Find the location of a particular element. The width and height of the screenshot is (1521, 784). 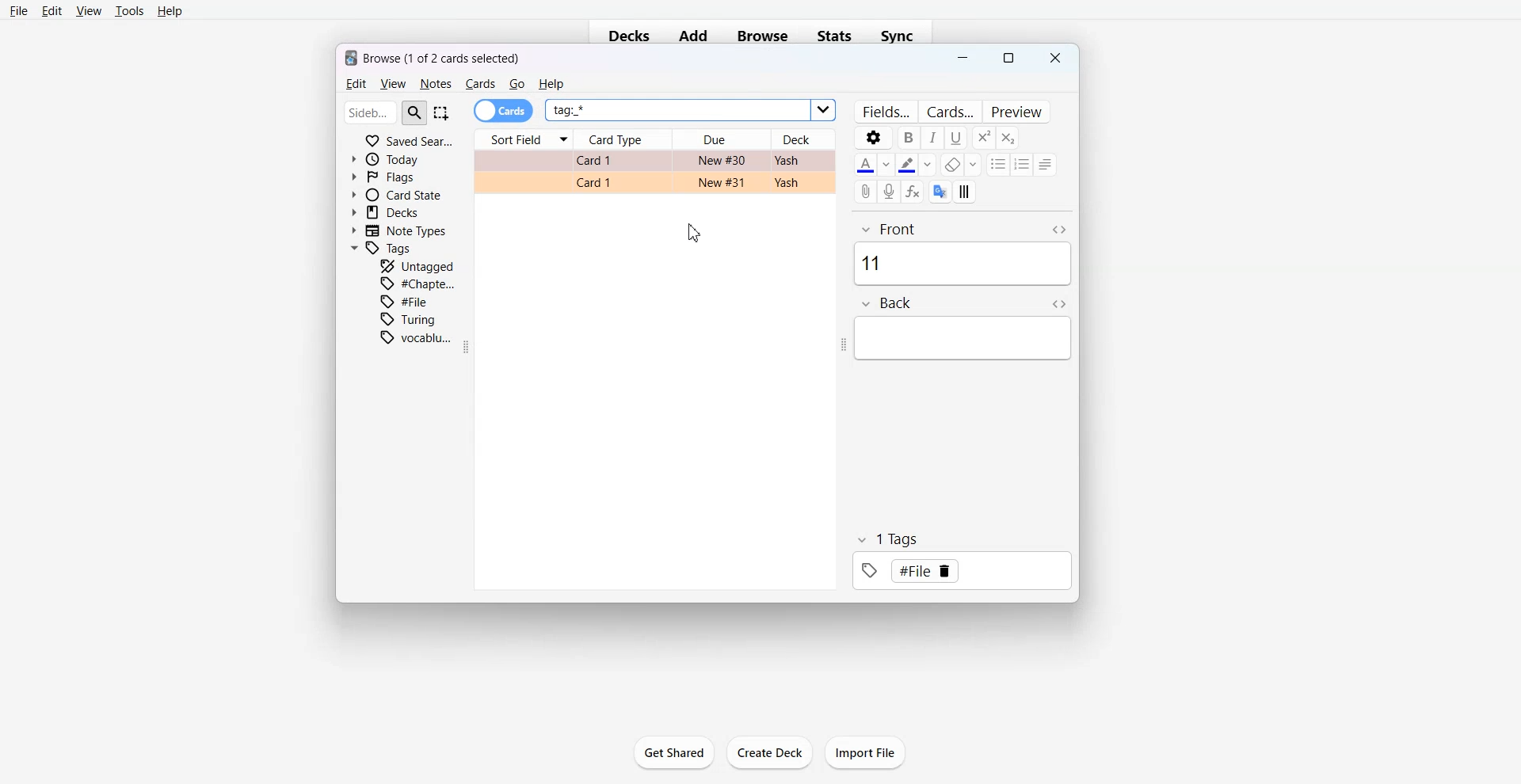

Front is located at coordinates (962, 252).